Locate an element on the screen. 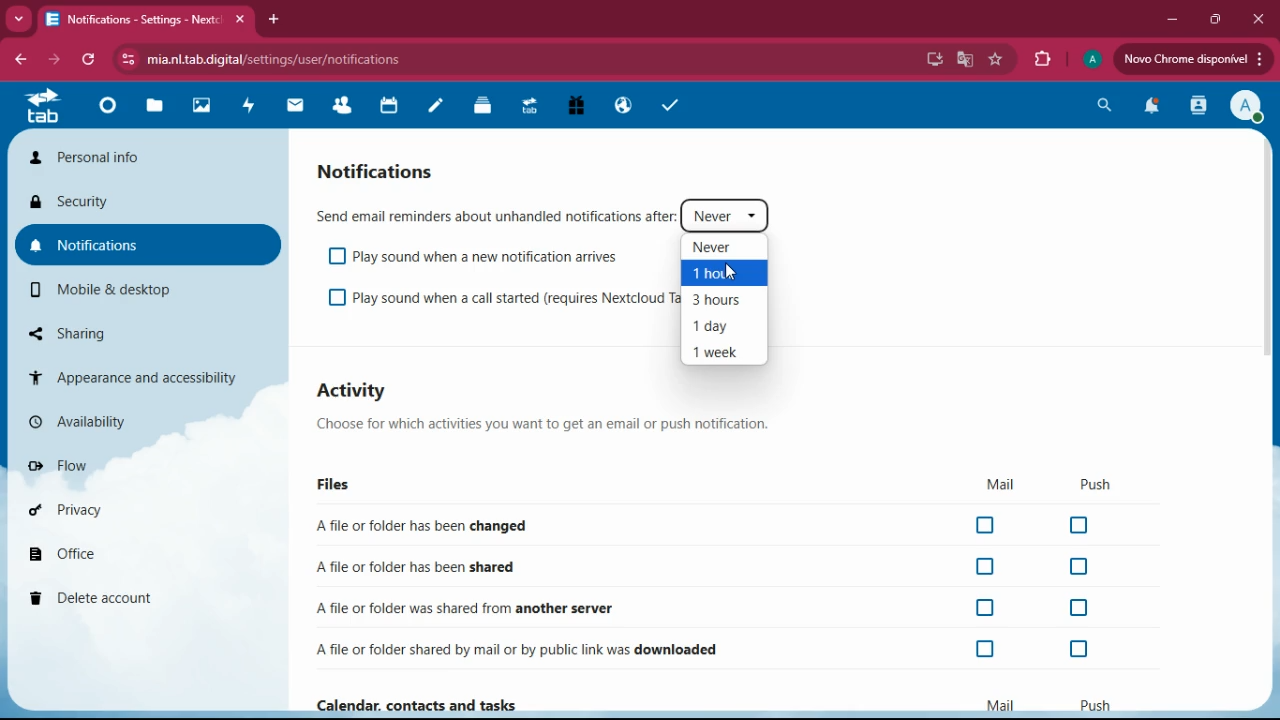 The width and height of the screenshot is (1280, 720). appearance is located at coordinates (137, 375).